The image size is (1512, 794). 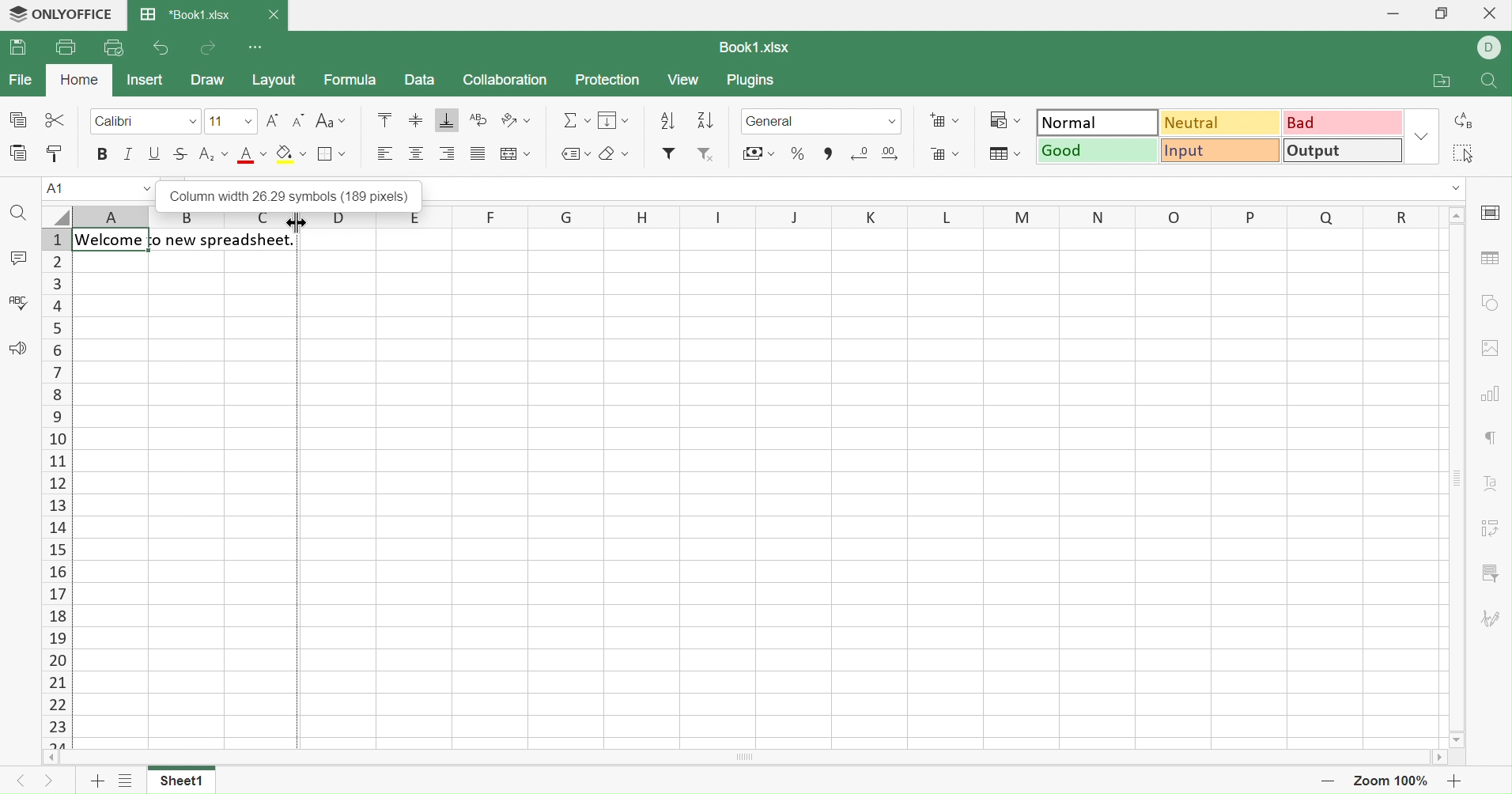 I want to click on Close, so click(x=275, y=13).